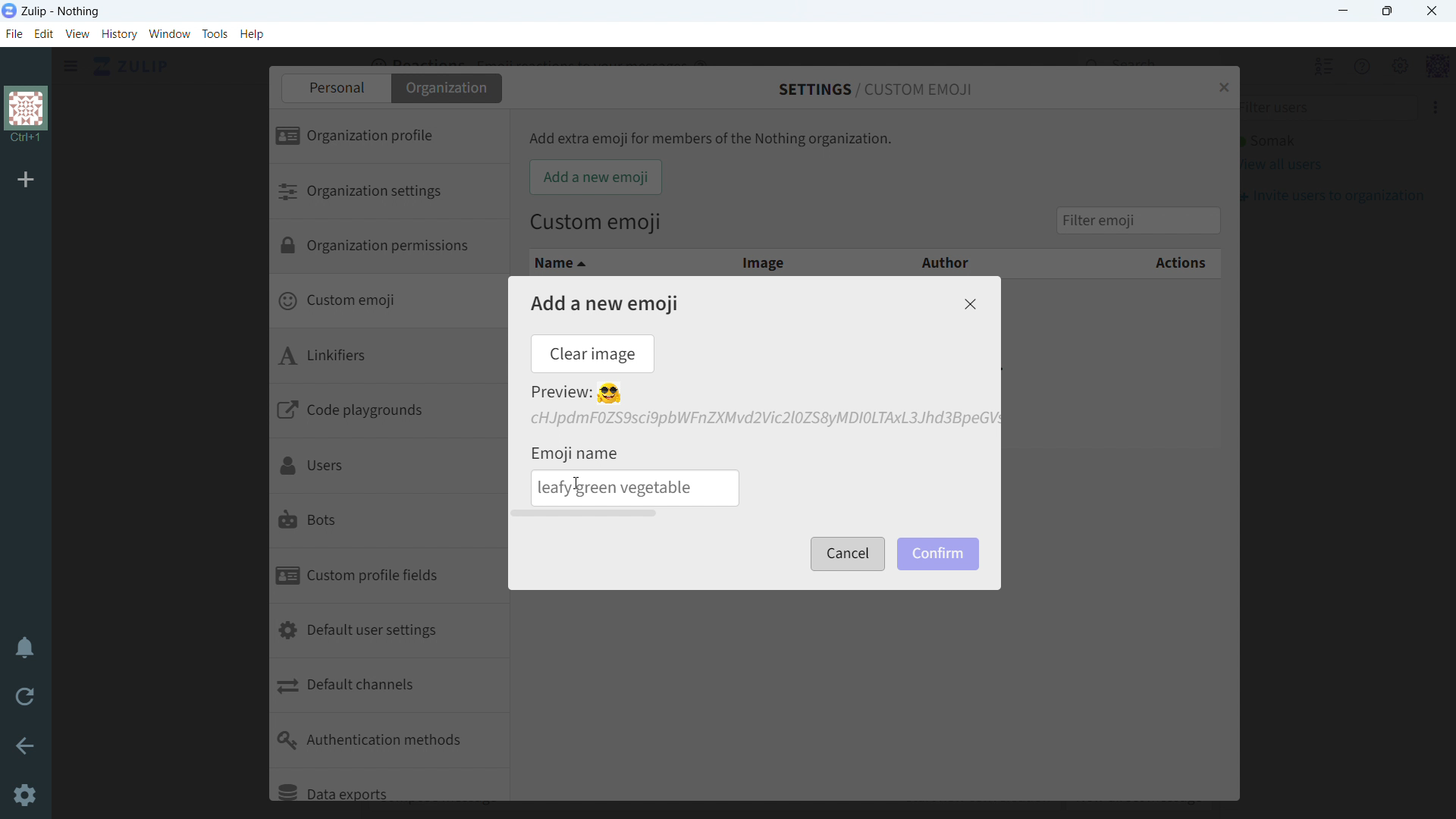 This screenshot has height=819, width=1456. Describe the element at coordinates (762, 419) in the screenshot. I see `file added` at that location.